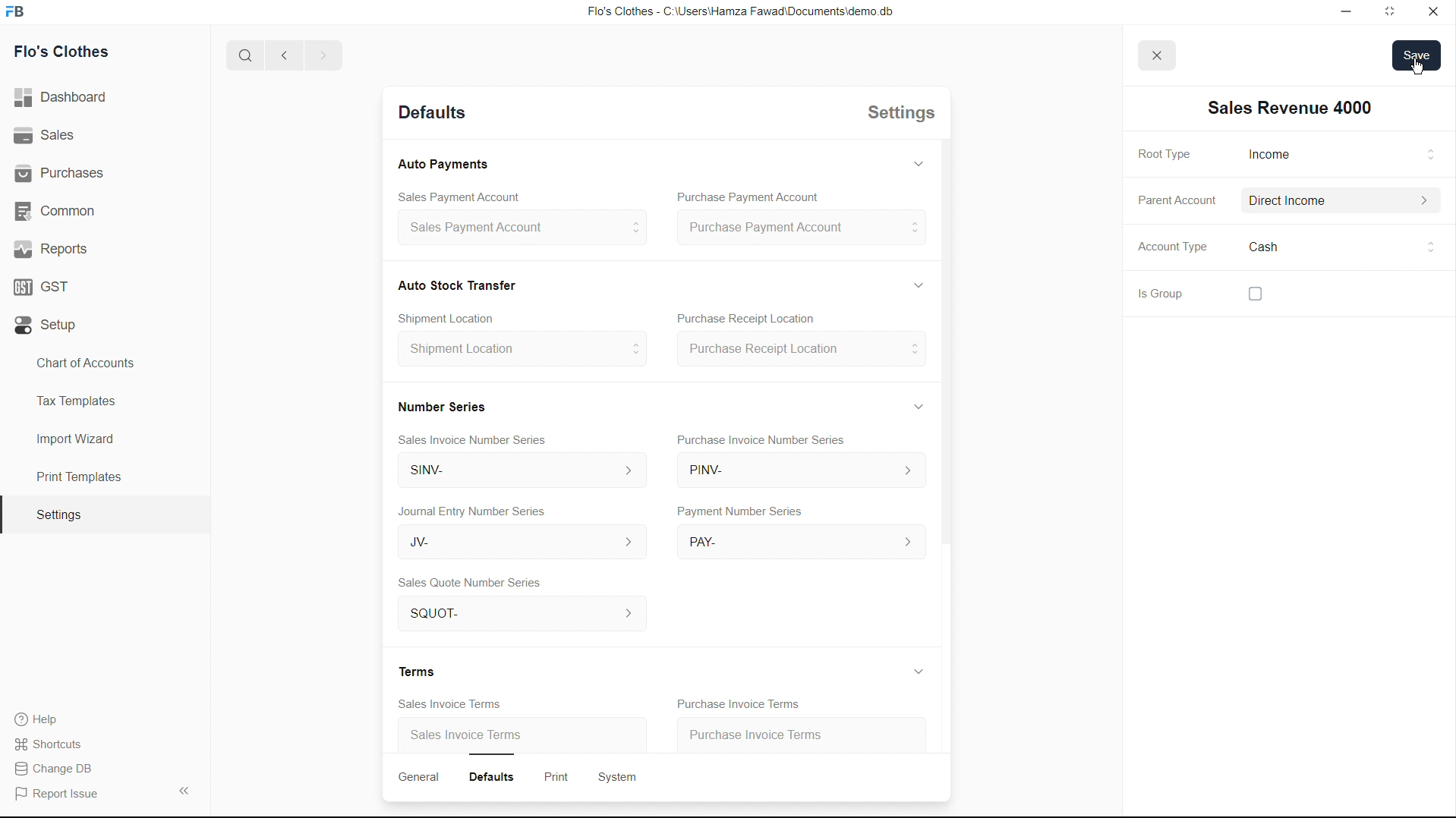 The width and height of the screenshot is (1456, 818). I want to click on Root Type, so click(1162, 155).